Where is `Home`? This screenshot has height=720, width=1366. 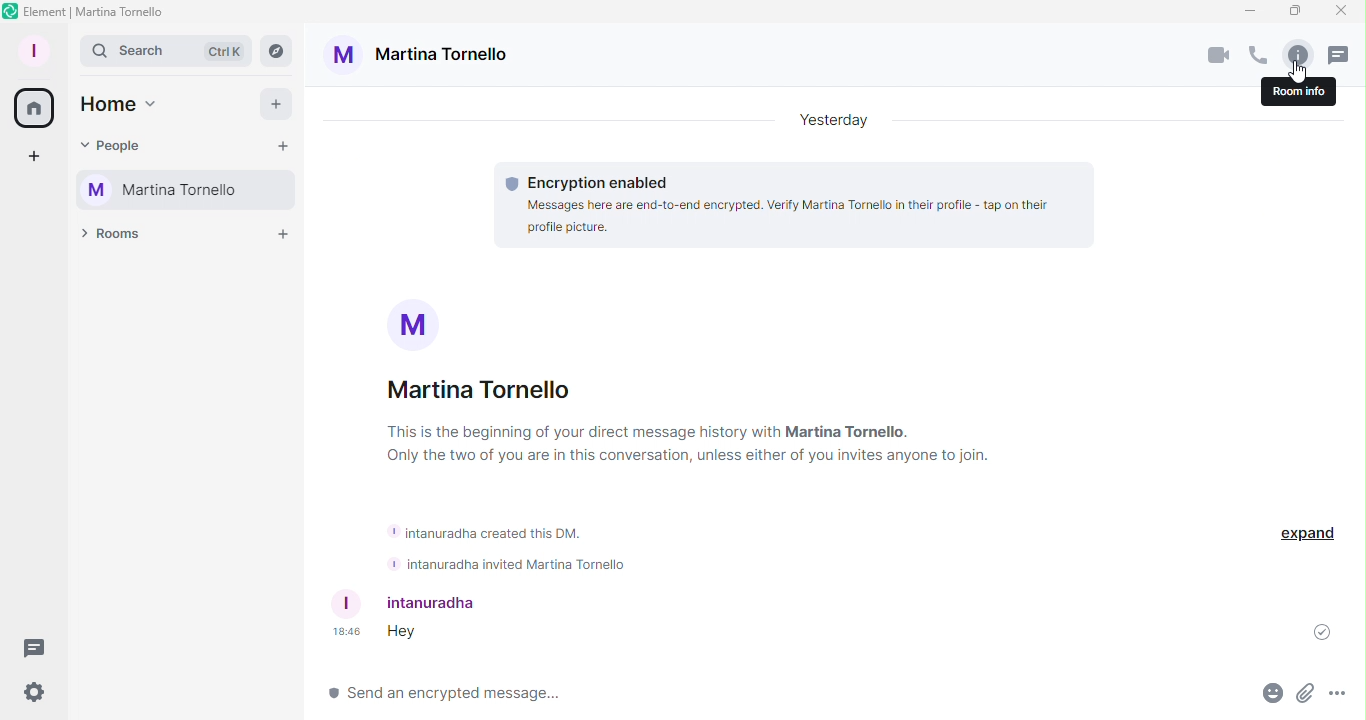
Home is located at coordinates (34, 111).